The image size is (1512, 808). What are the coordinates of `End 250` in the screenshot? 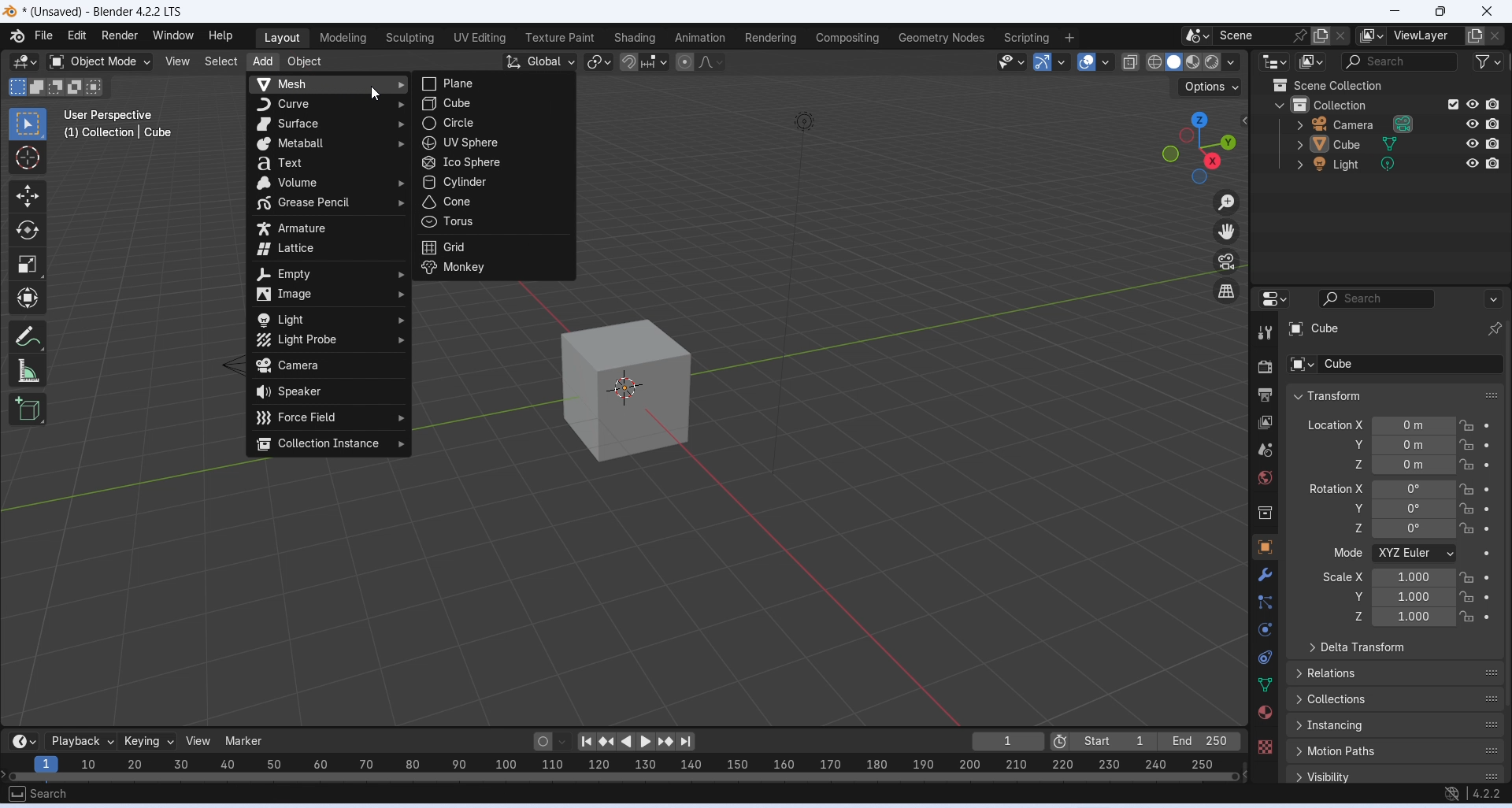 It's located at (1198, 741).